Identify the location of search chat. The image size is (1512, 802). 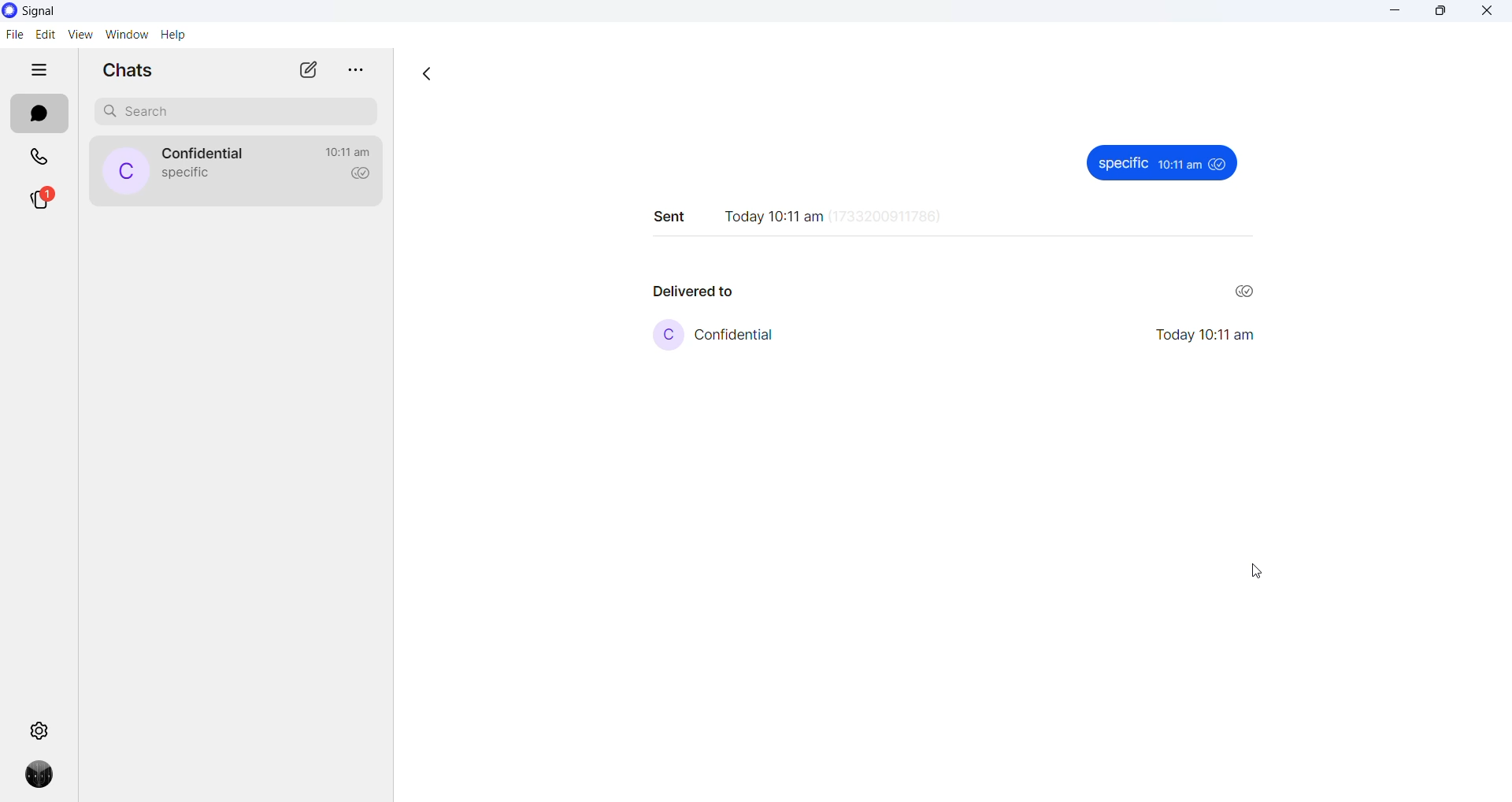
(238, 112).